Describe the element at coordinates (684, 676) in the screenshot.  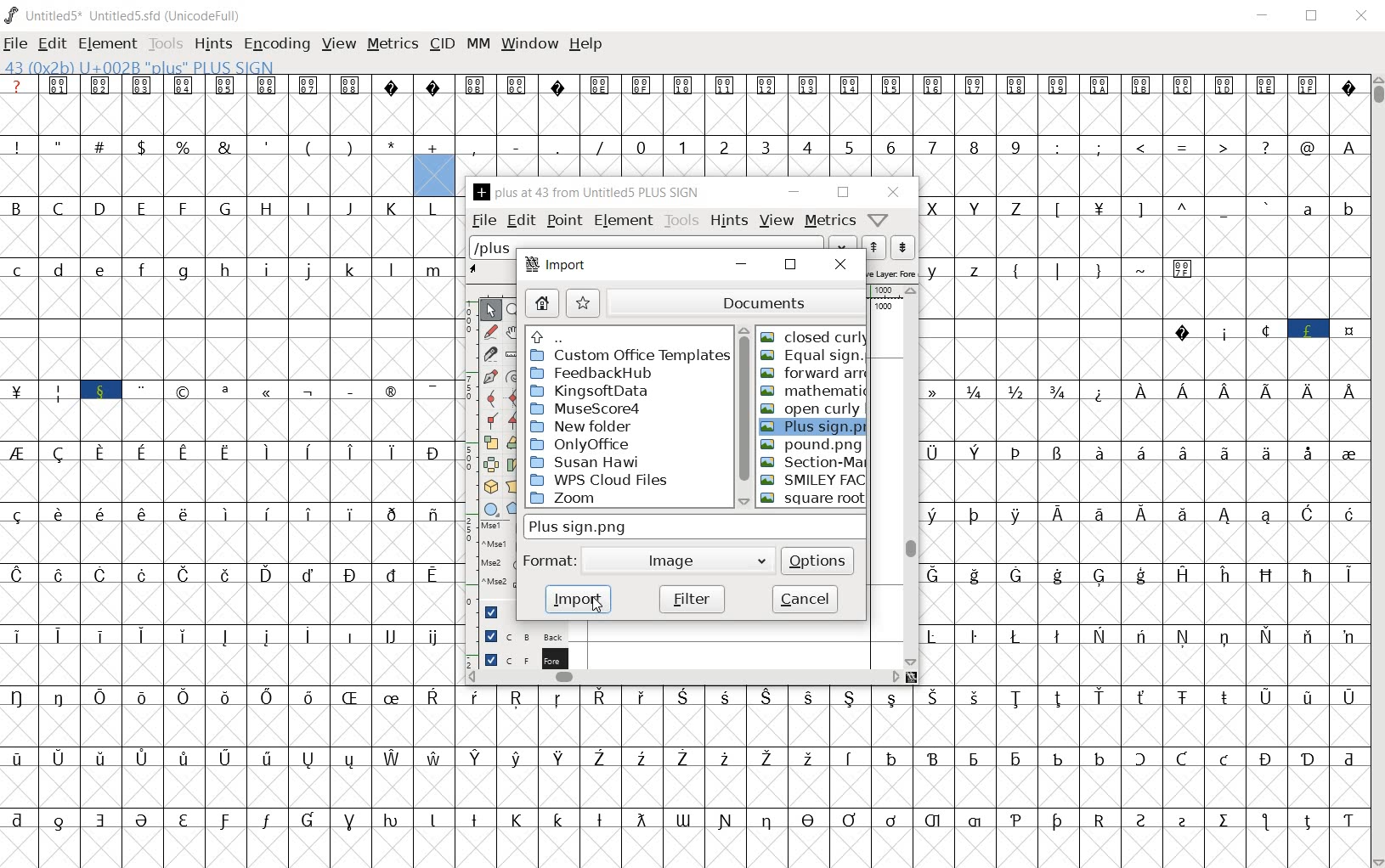
I see `scrollbar` at that location.